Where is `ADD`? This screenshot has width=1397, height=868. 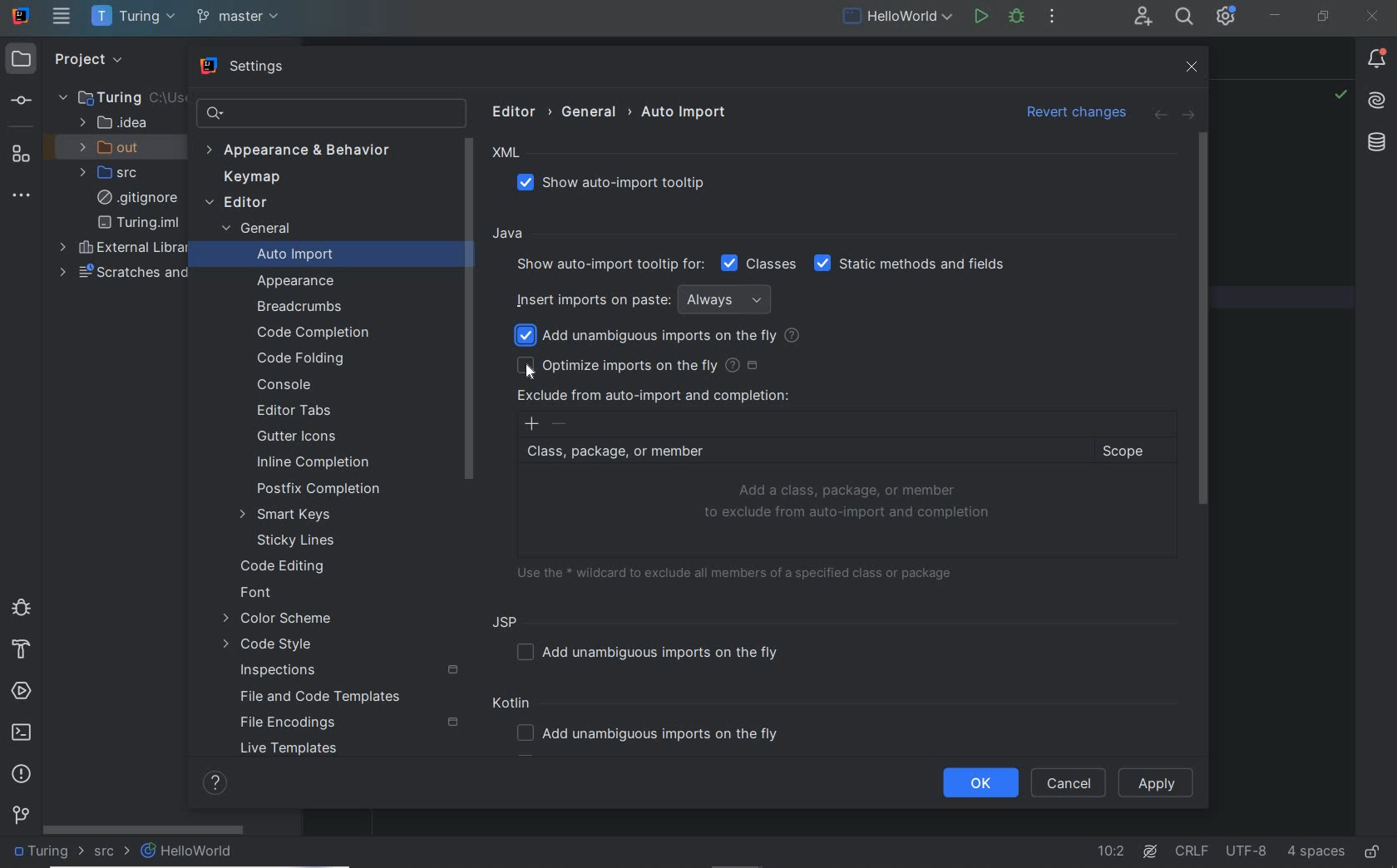 ADD is located at coordinates (531, 424).